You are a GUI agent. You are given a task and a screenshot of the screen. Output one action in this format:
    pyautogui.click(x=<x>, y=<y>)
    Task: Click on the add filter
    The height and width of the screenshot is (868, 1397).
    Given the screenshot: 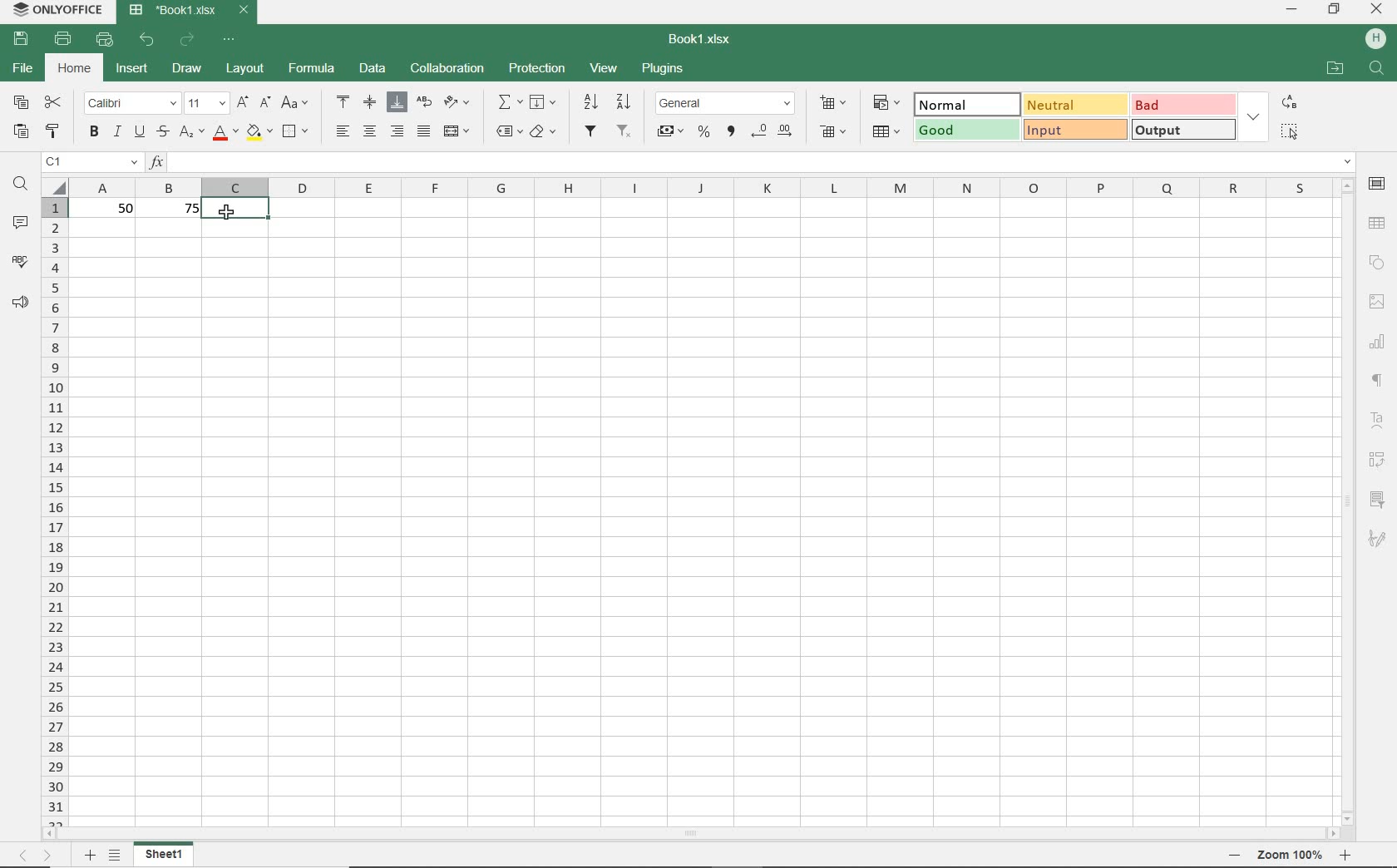 What is the action you would take?
    pyautogui.click(x=591, y=133)
    